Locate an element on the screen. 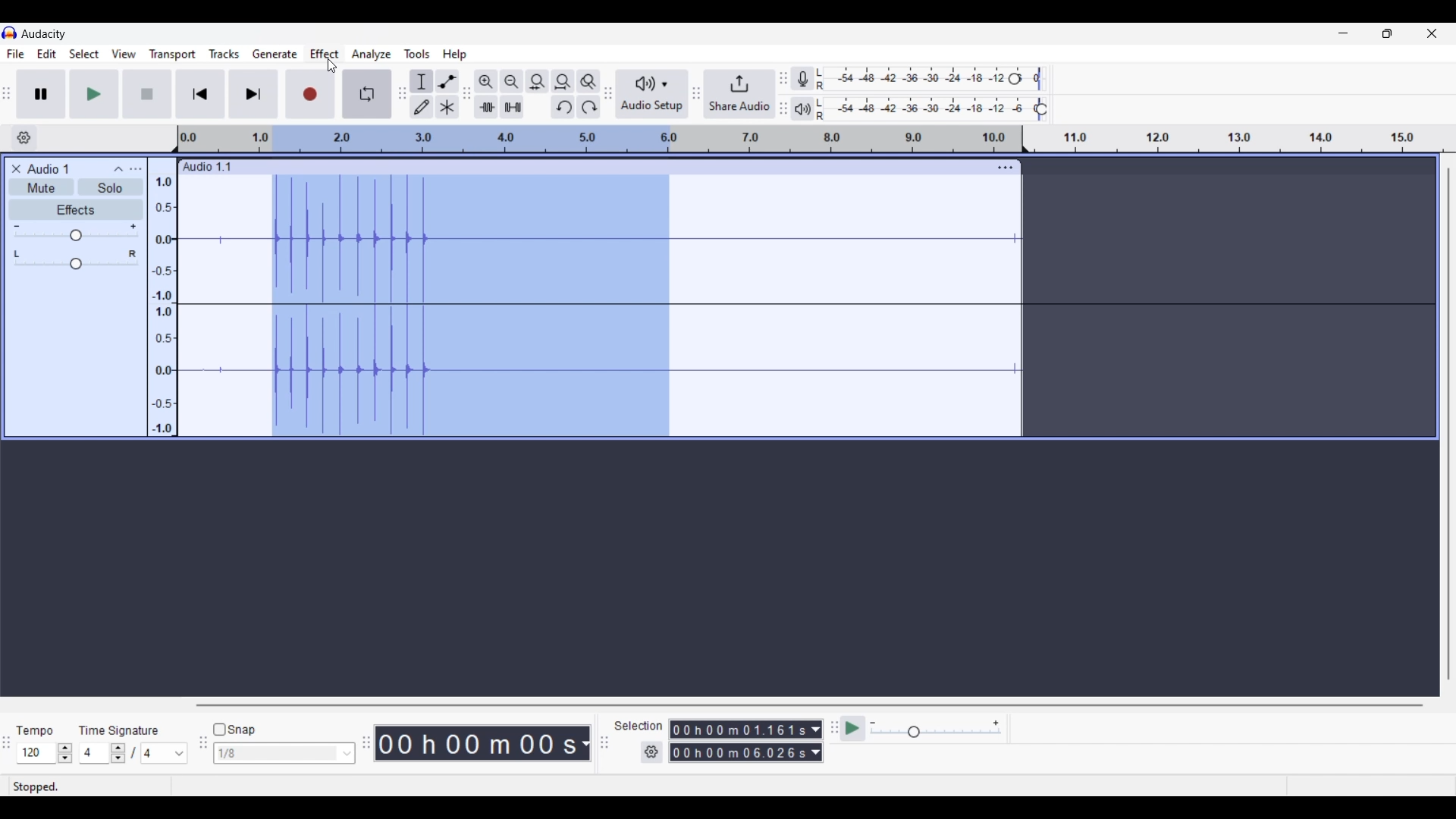  Zoom in is located at coordinates (485, 80).